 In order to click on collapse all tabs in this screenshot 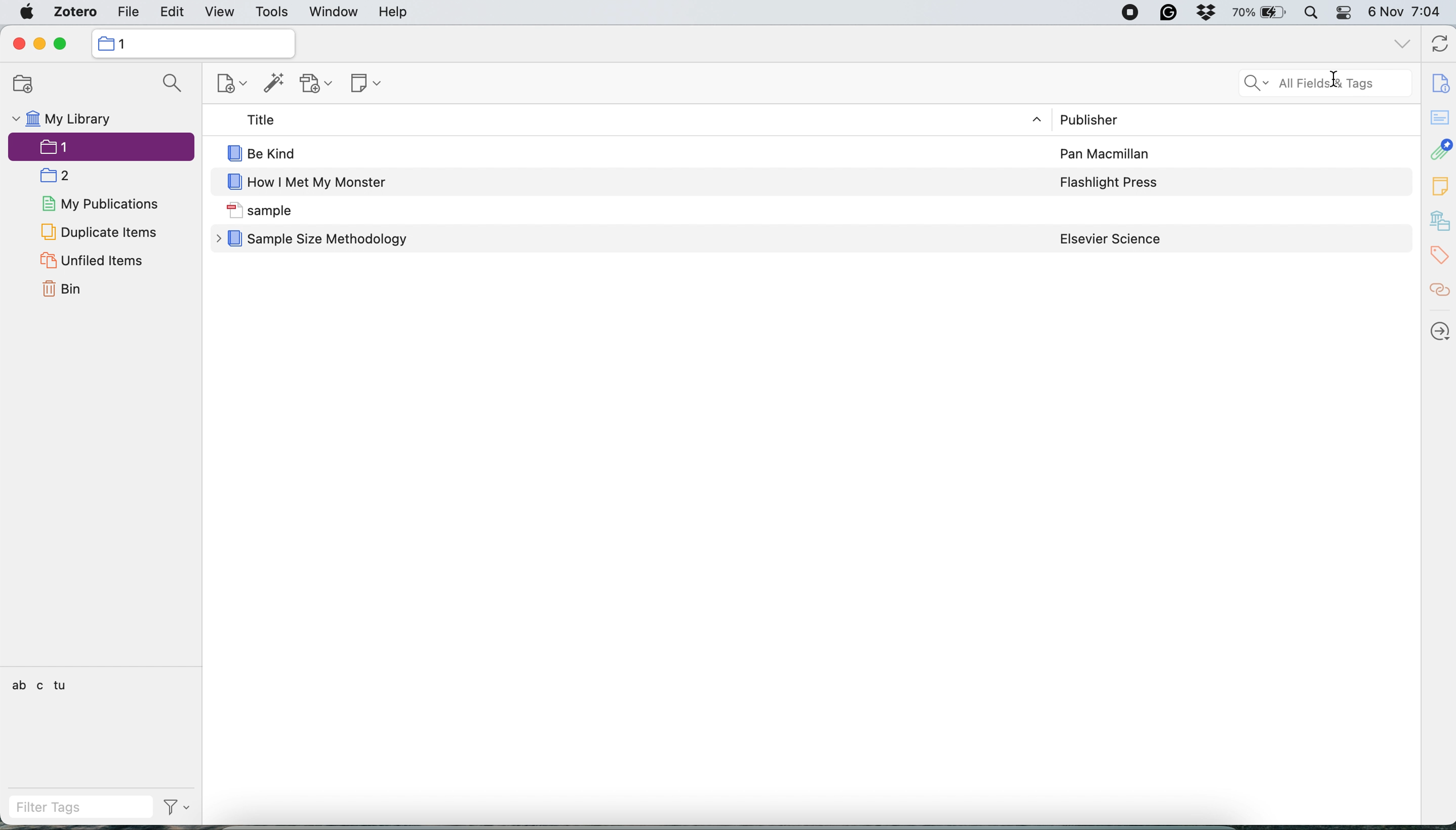, I will do `click(1402, 42)`.